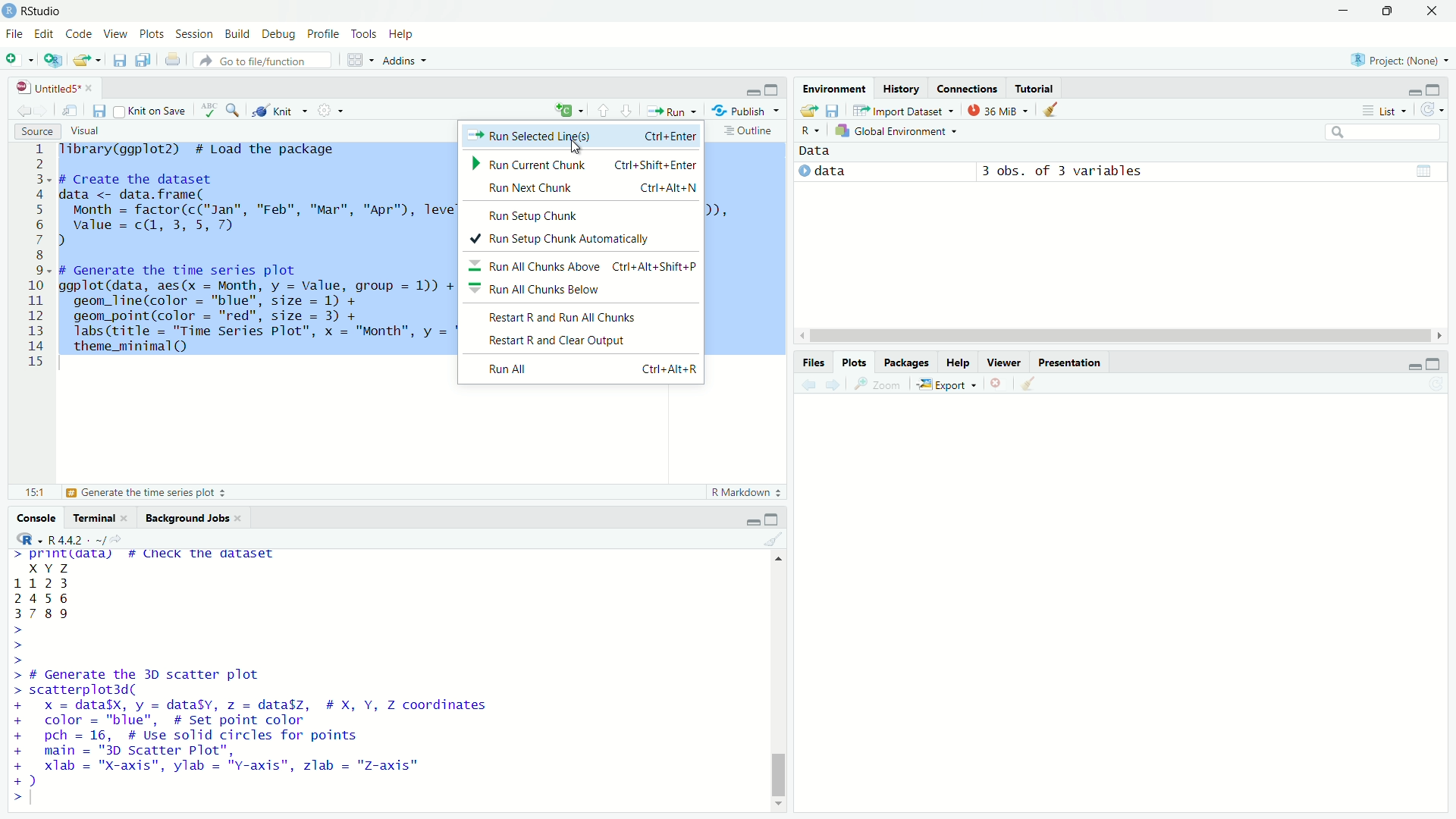  What do you see at coordinates (811, 132) in the screenshot?
I see `select language` at bounding box center [811, 132].